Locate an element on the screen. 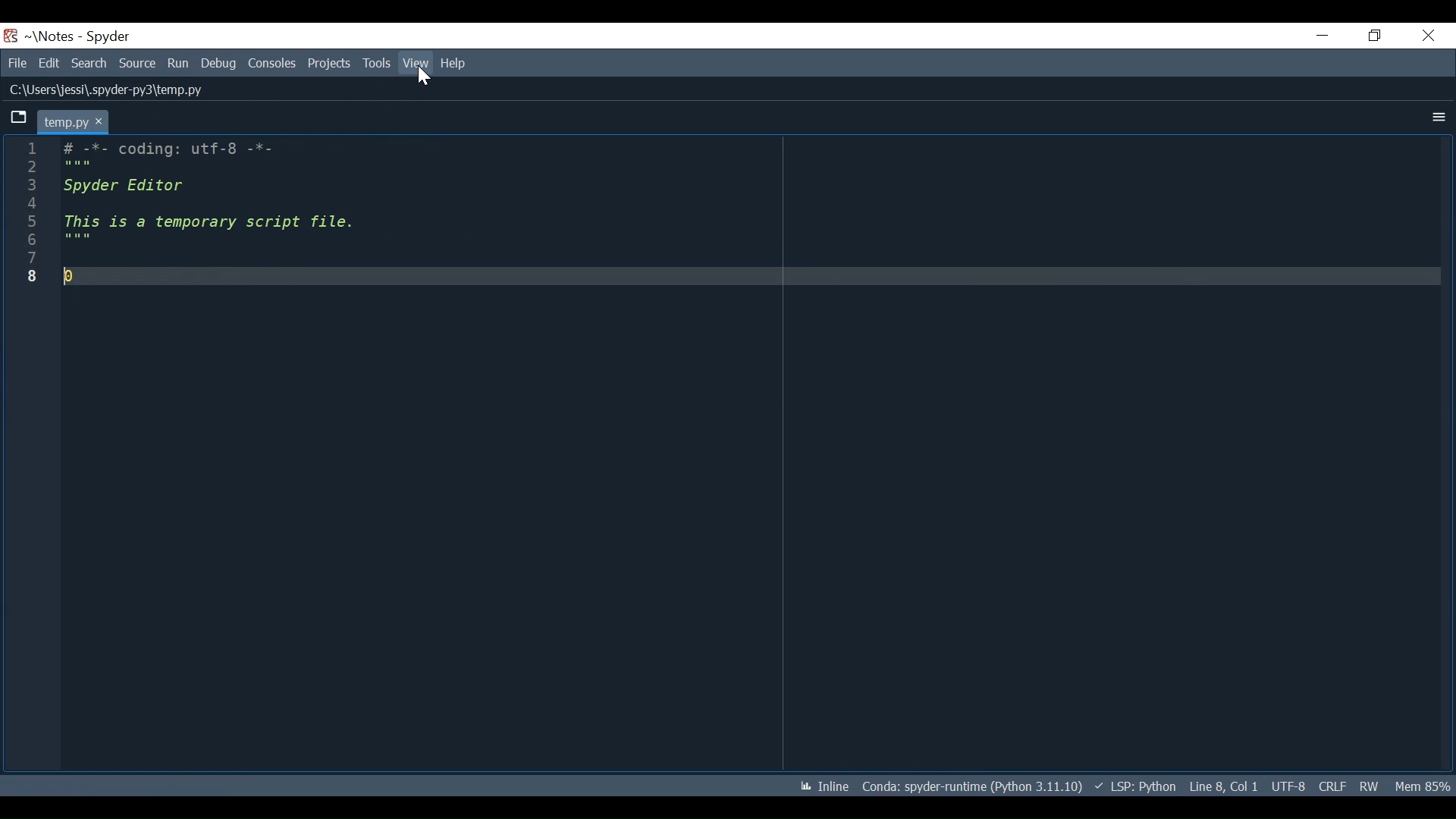  Spyder is located at coordinates (108, 36).